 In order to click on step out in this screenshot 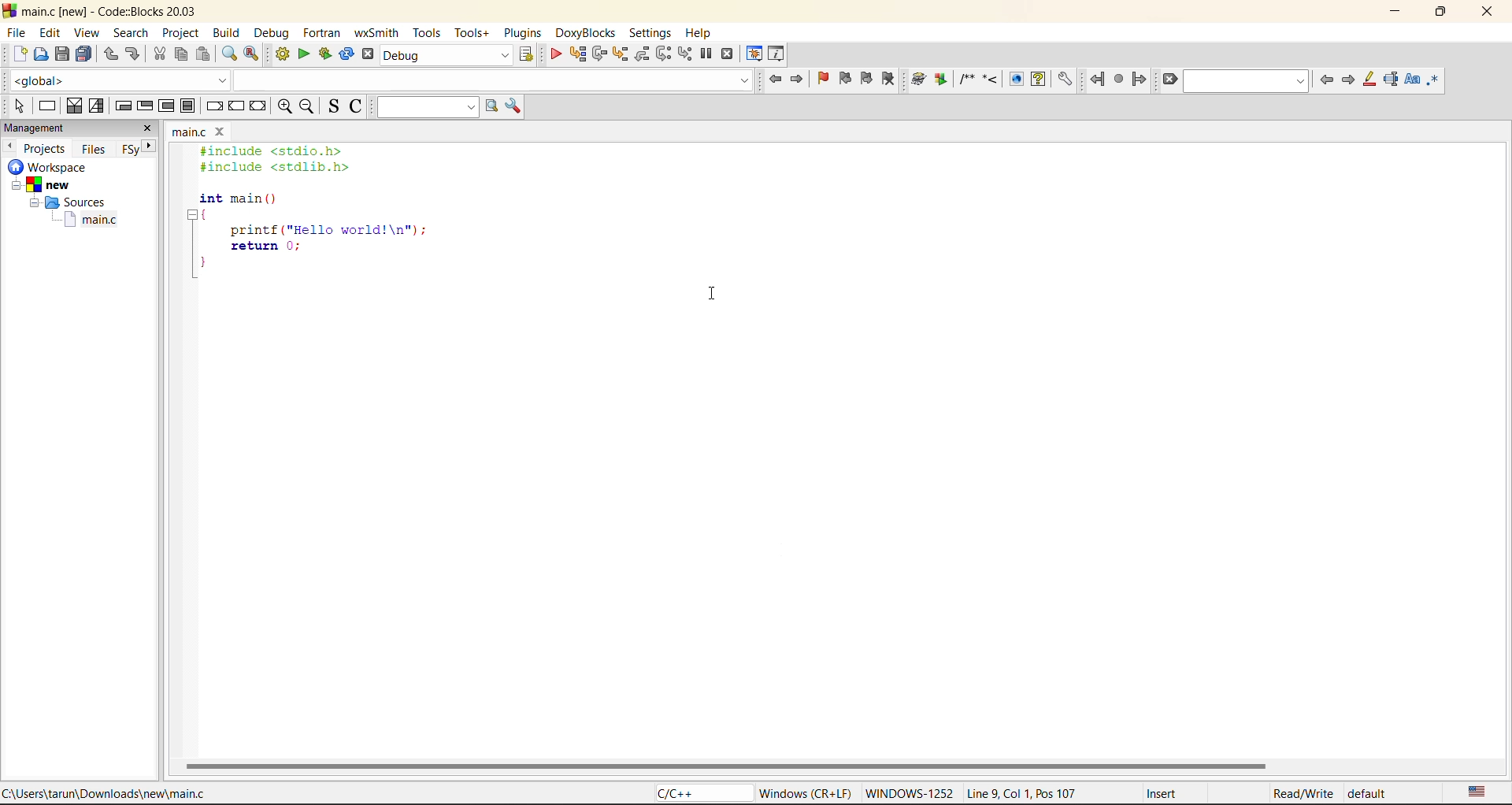, I will do `click(643, 54)`.